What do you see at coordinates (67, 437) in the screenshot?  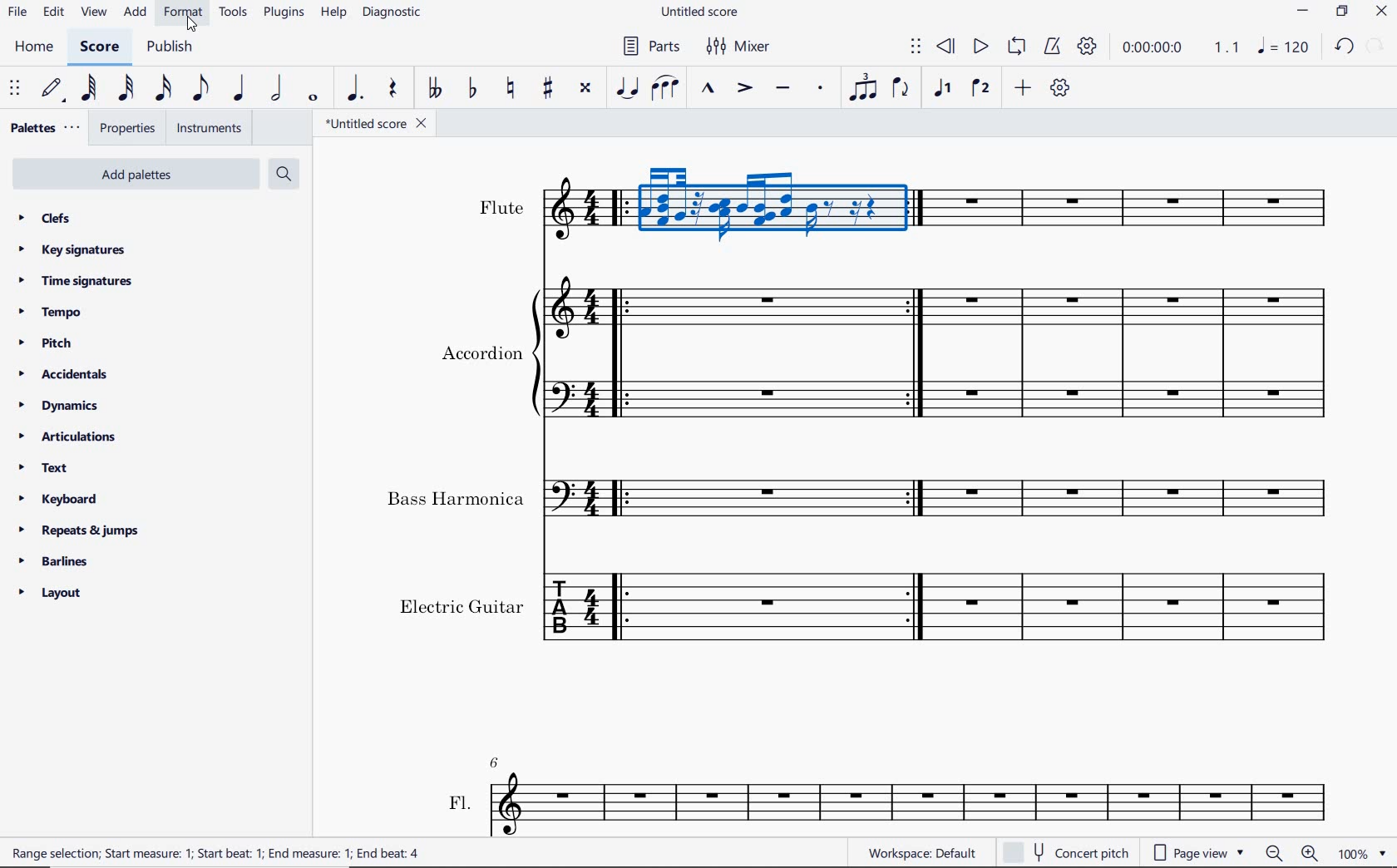 I see `articulations` at bounding box center [67, 437].